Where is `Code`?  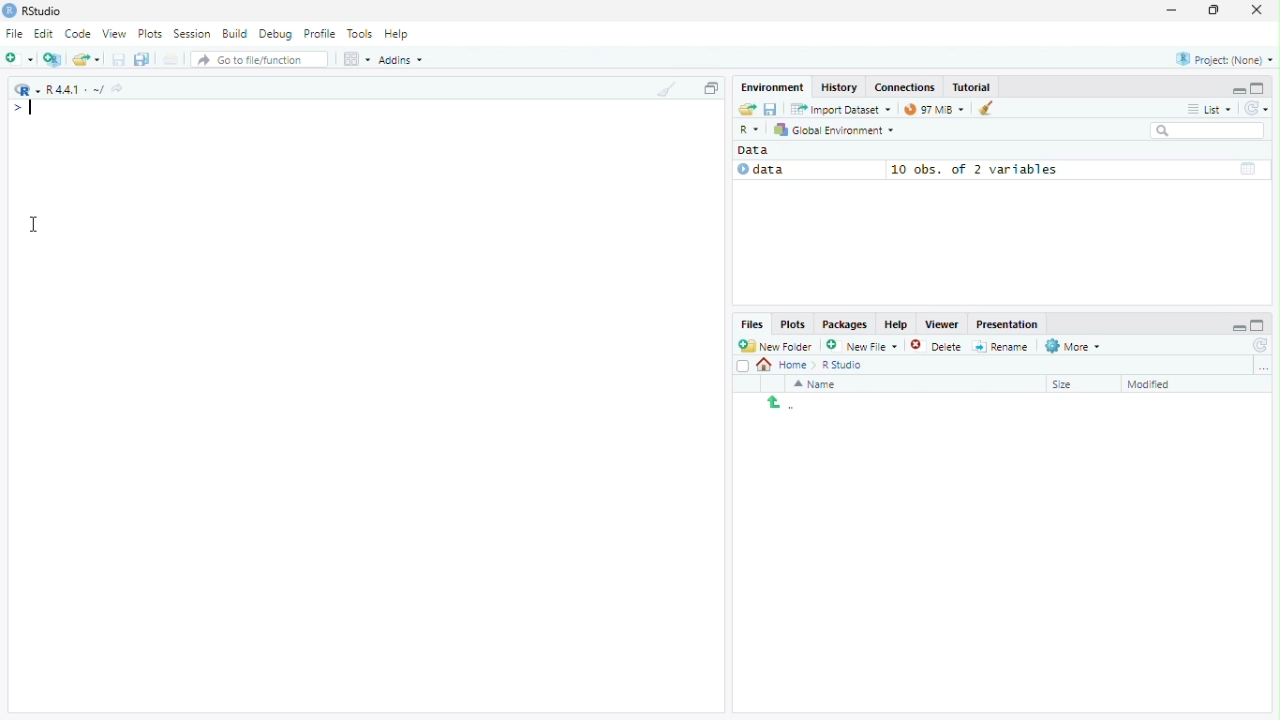
Code is located at coordinates (80, 34).